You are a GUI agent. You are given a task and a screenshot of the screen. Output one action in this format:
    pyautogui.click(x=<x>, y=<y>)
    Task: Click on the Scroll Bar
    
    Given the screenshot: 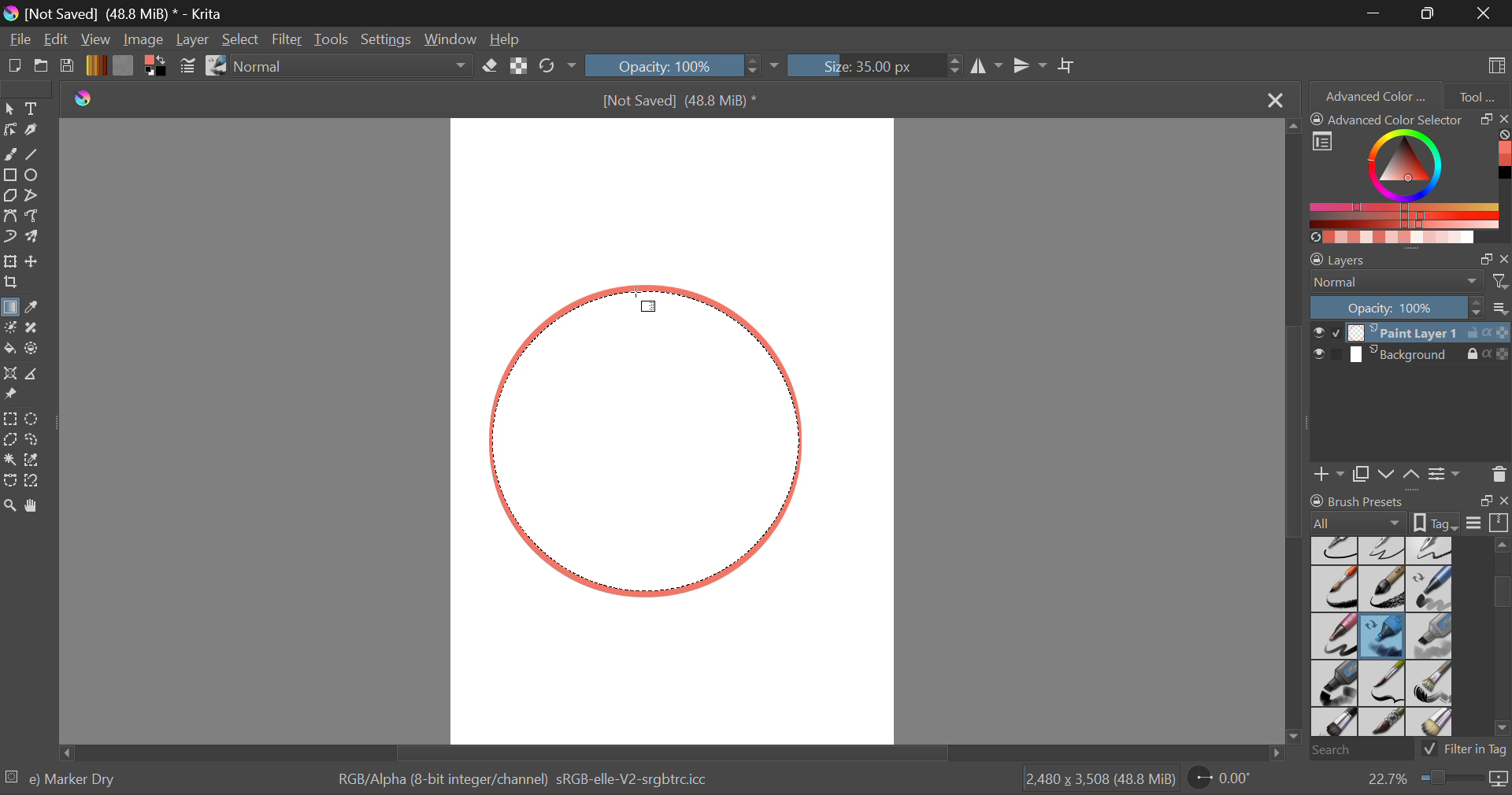 What is the action you would take?
    pyautogui.click(x=668, y=752)
    